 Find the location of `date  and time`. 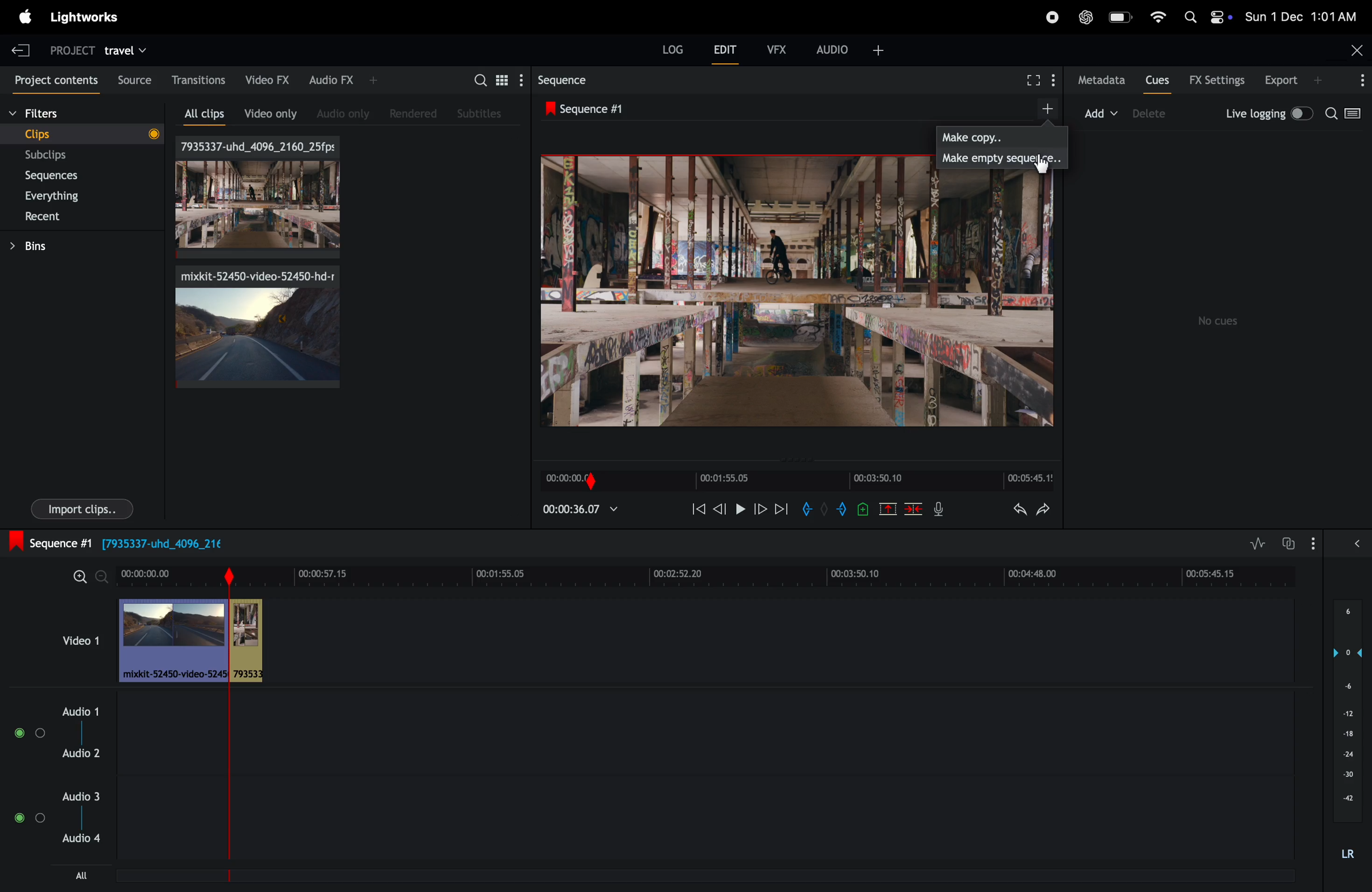

date  and time is located at coordinates (1301, 14).